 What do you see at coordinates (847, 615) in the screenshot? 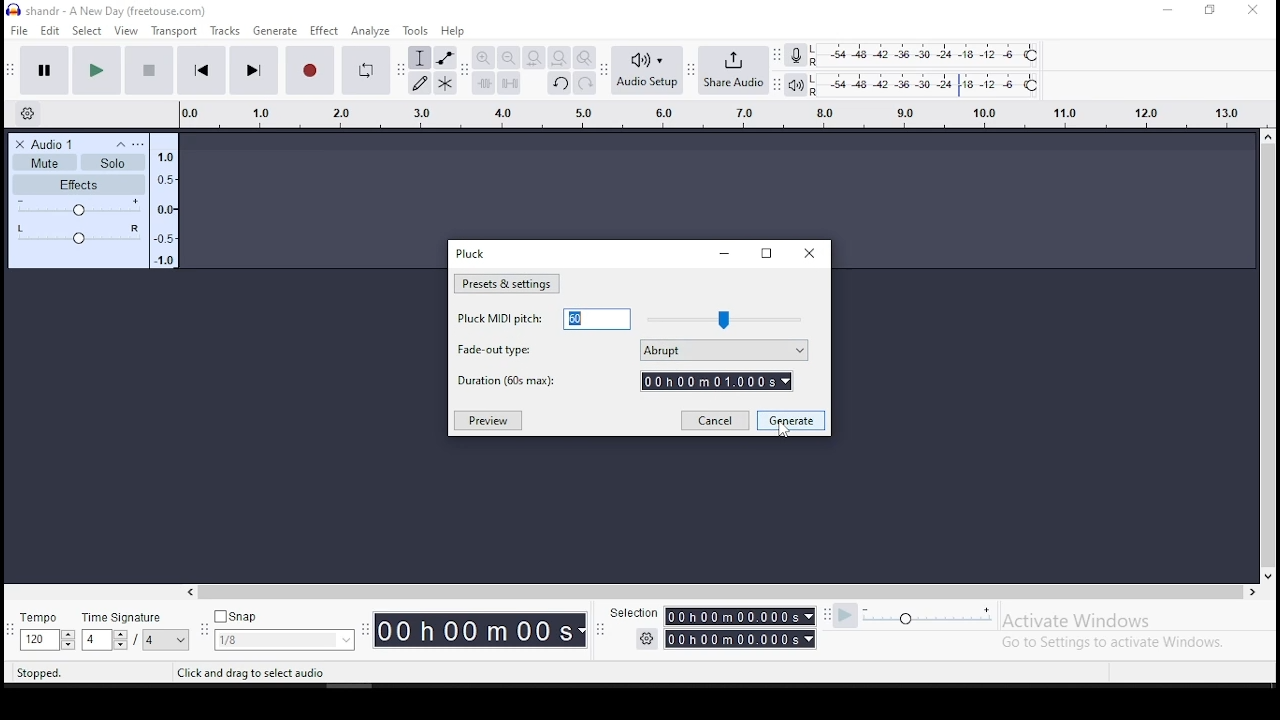
I see `play at speed` at bounding box center [847, 615].